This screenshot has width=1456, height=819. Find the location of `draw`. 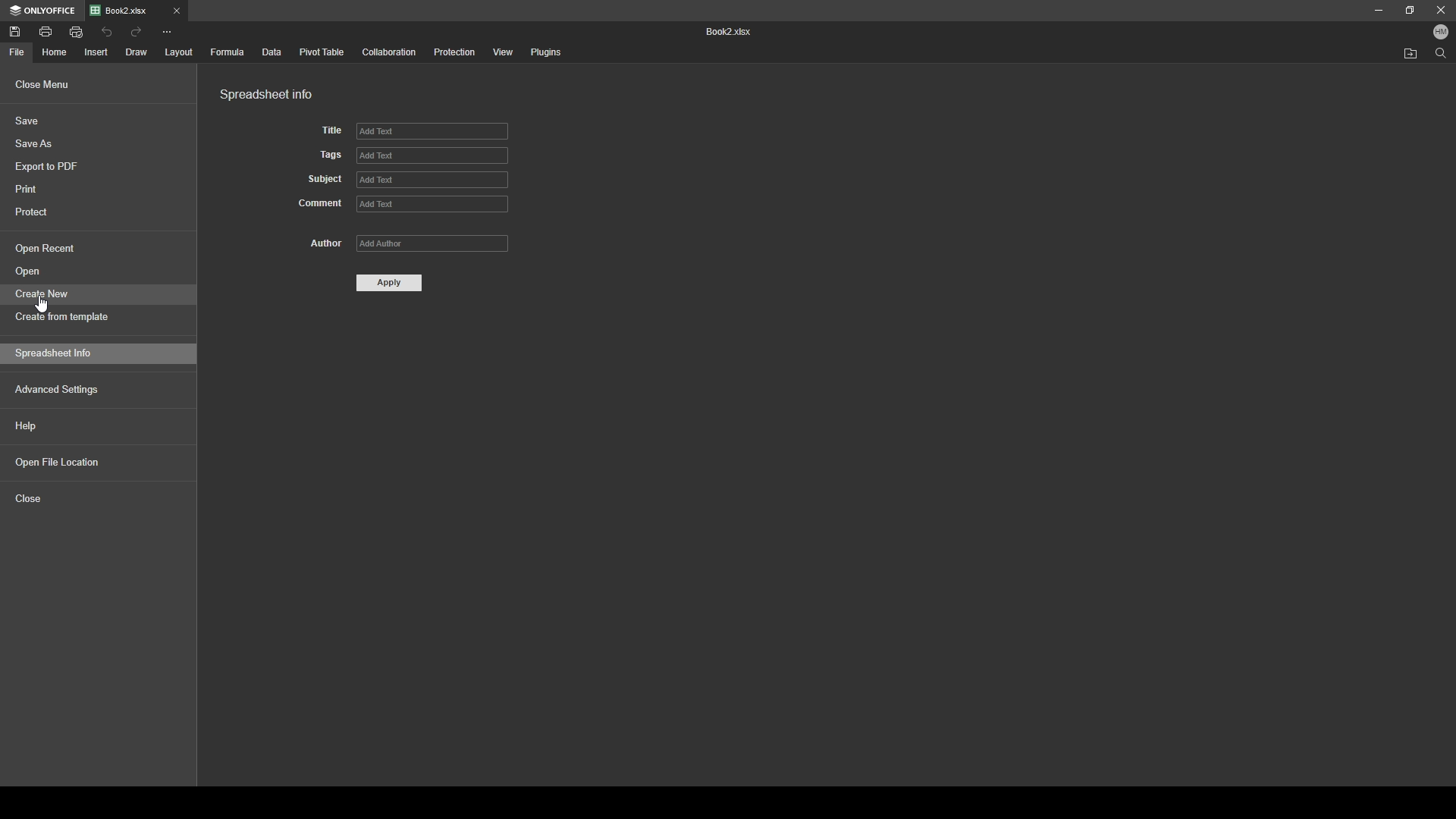

draw is located at coordinates (138, 52).